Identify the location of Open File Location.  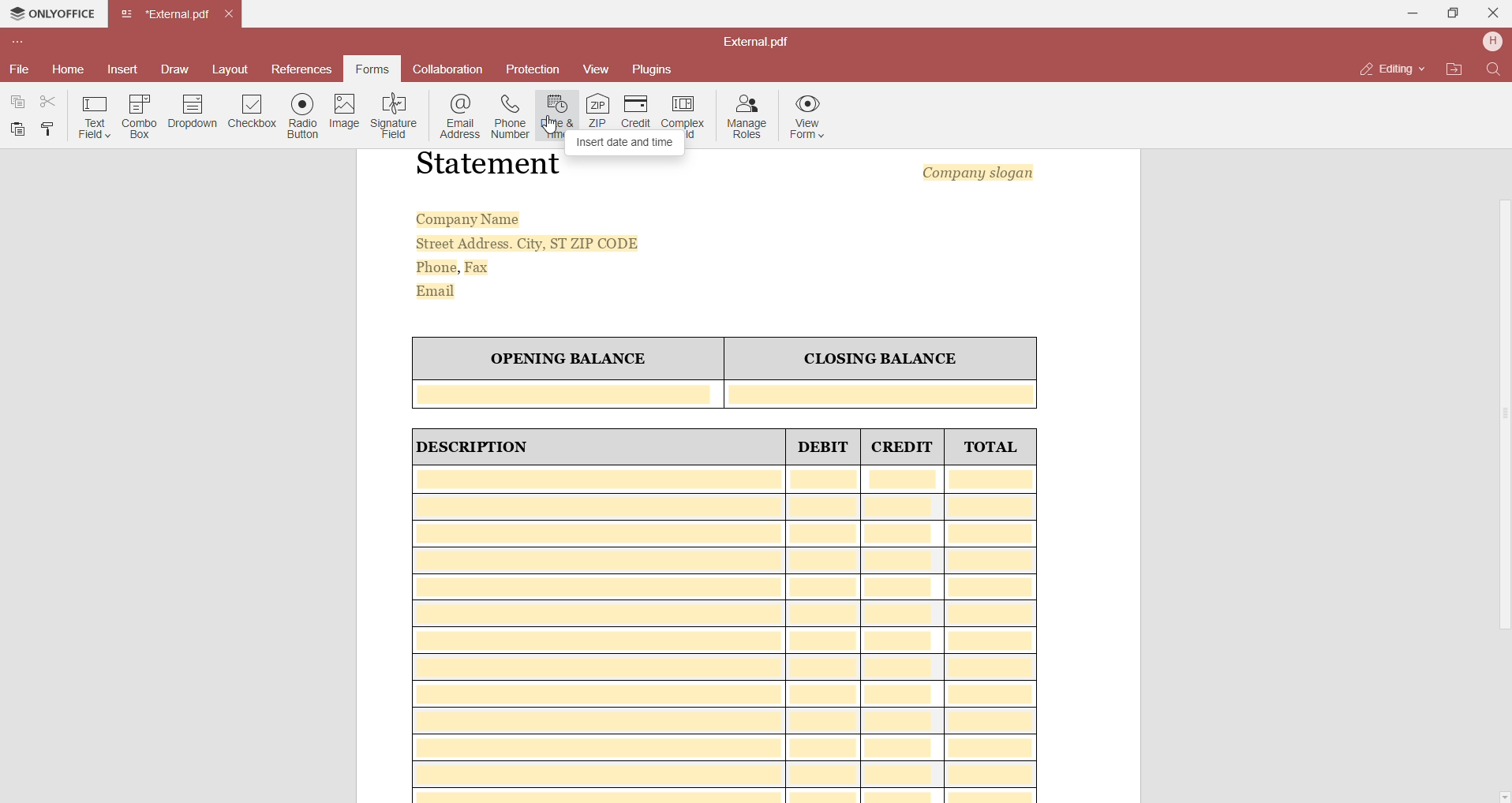
(1454, 69).